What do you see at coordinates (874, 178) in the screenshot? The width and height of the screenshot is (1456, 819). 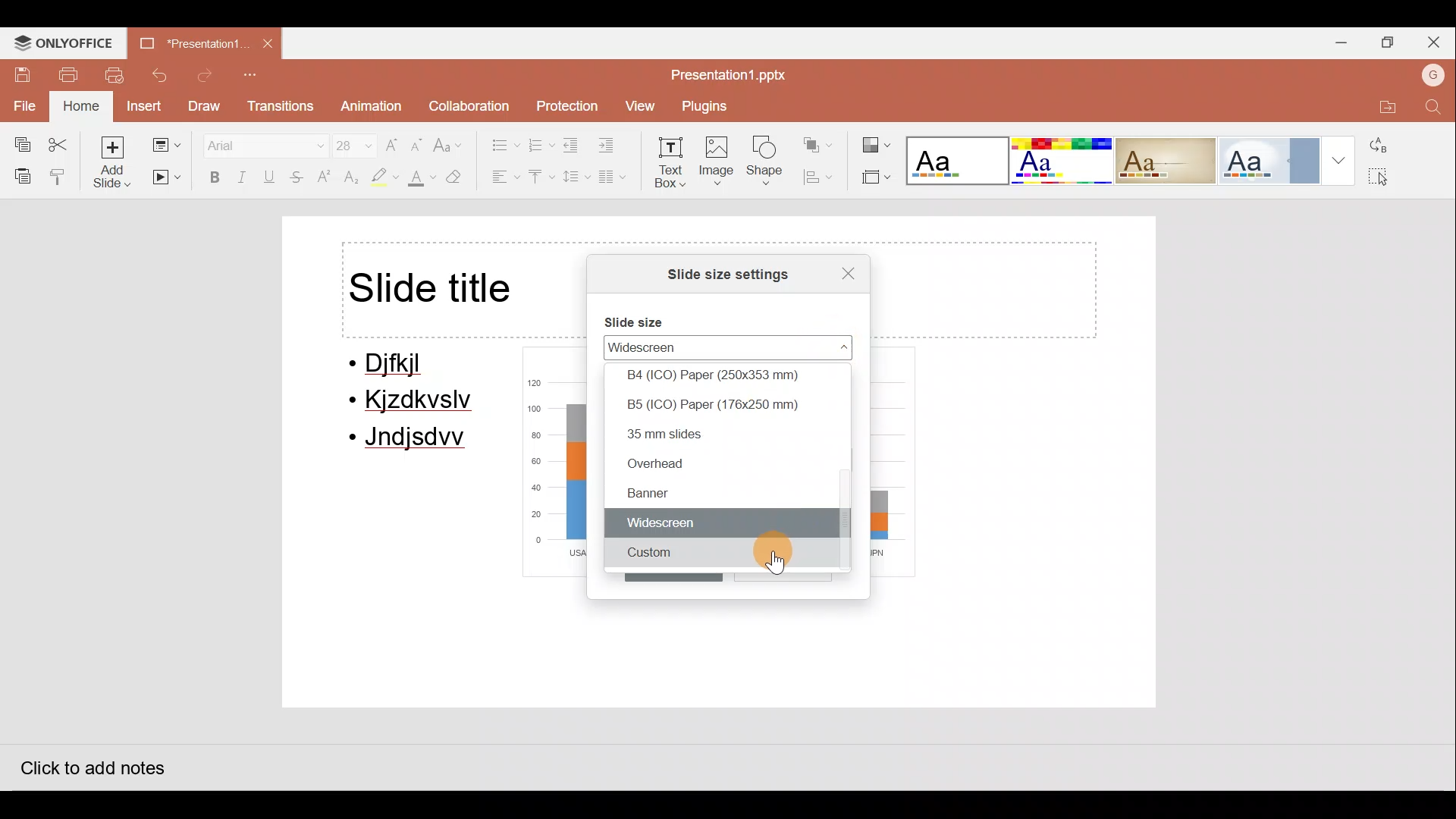 I see `Select slide size` at bounding box center [874, 178].